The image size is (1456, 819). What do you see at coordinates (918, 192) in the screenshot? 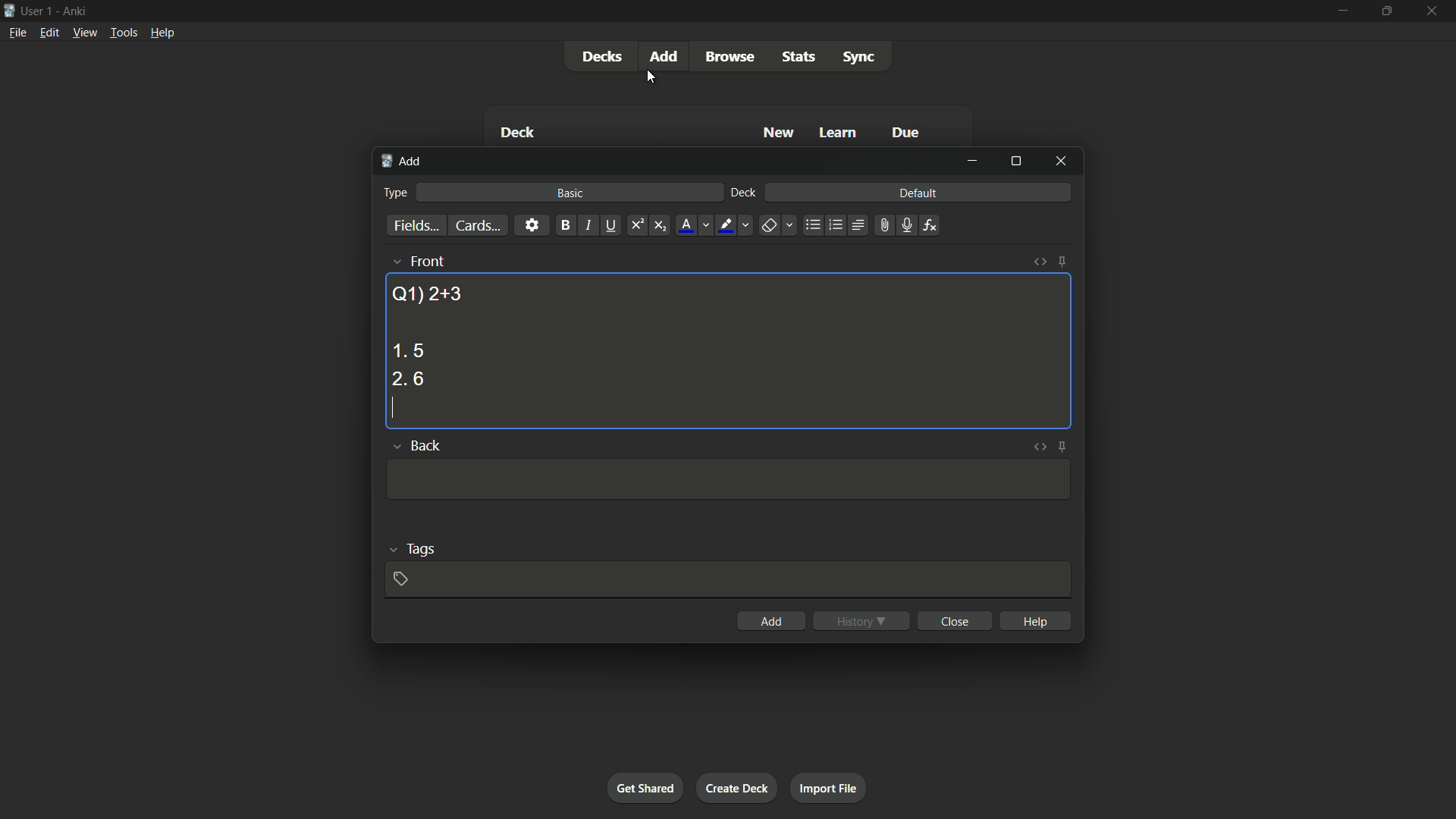
I see `default` at bounding box center [918, 192].